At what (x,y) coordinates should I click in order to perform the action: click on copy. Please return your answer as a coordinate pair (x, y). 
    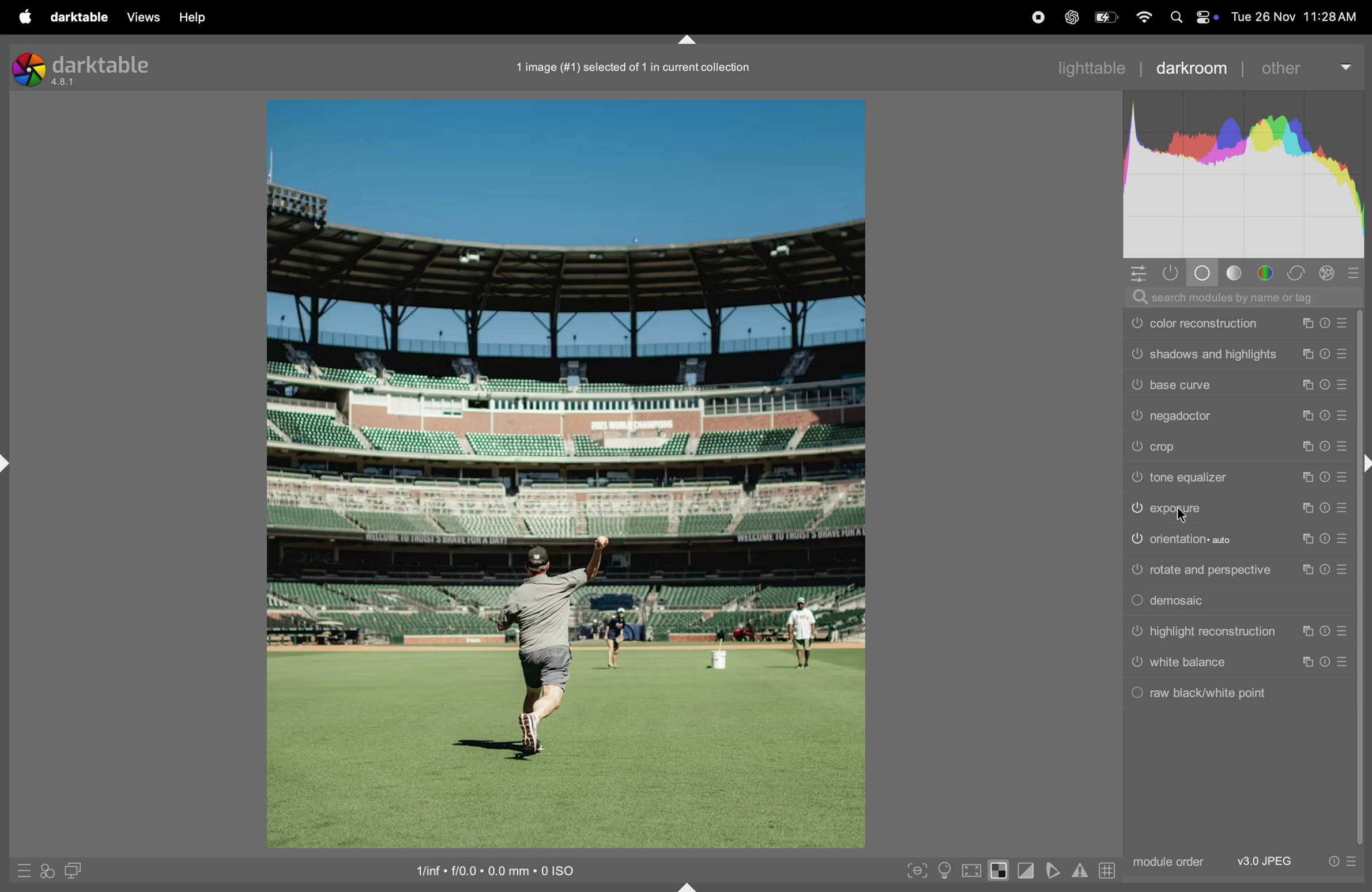
    Looking at the image, I should click on (1306, 447).